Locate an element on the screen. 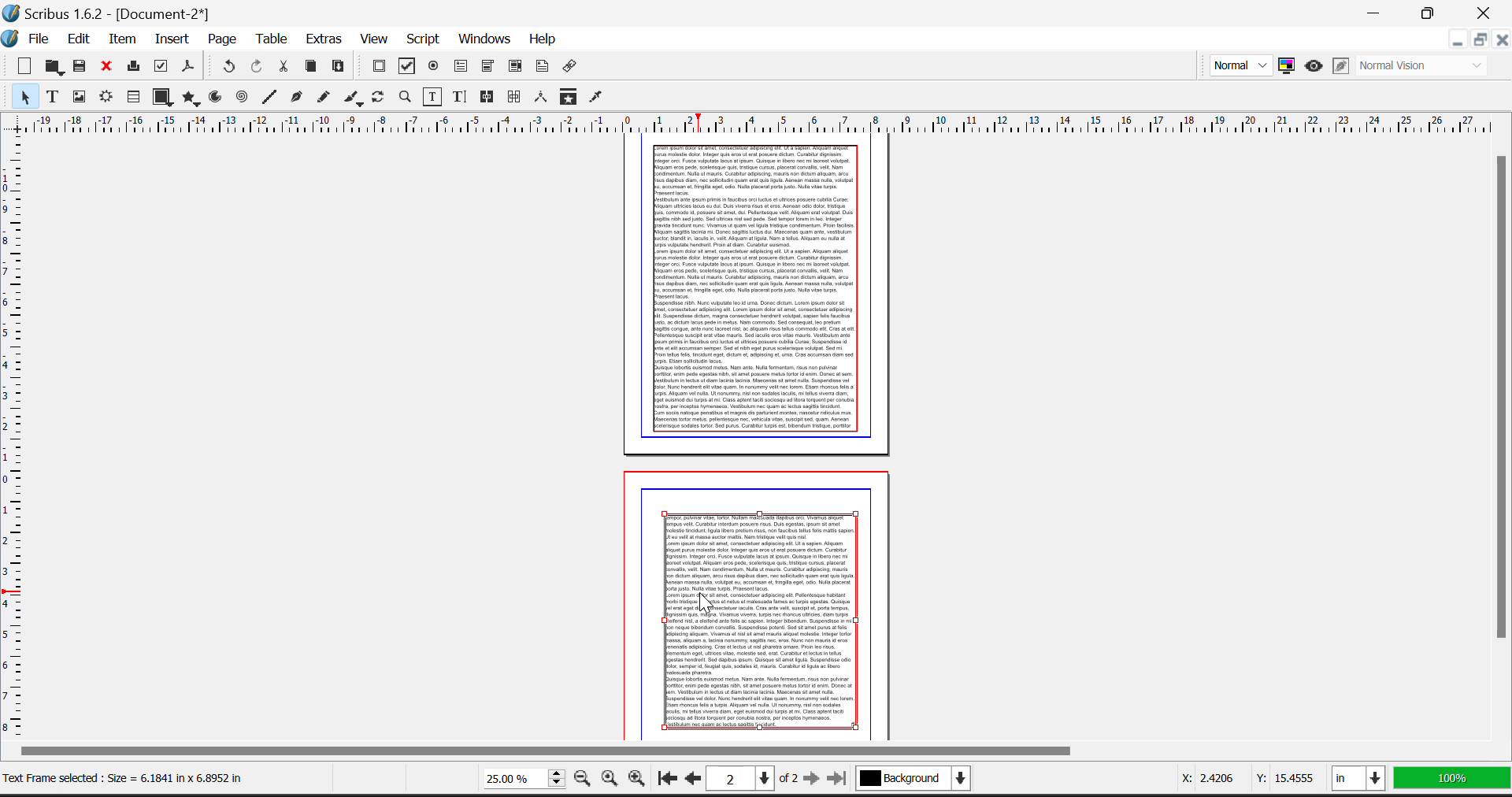 This screenshot has width=1512, height=797. Bezier Curve is located at coordinates (295, 98).